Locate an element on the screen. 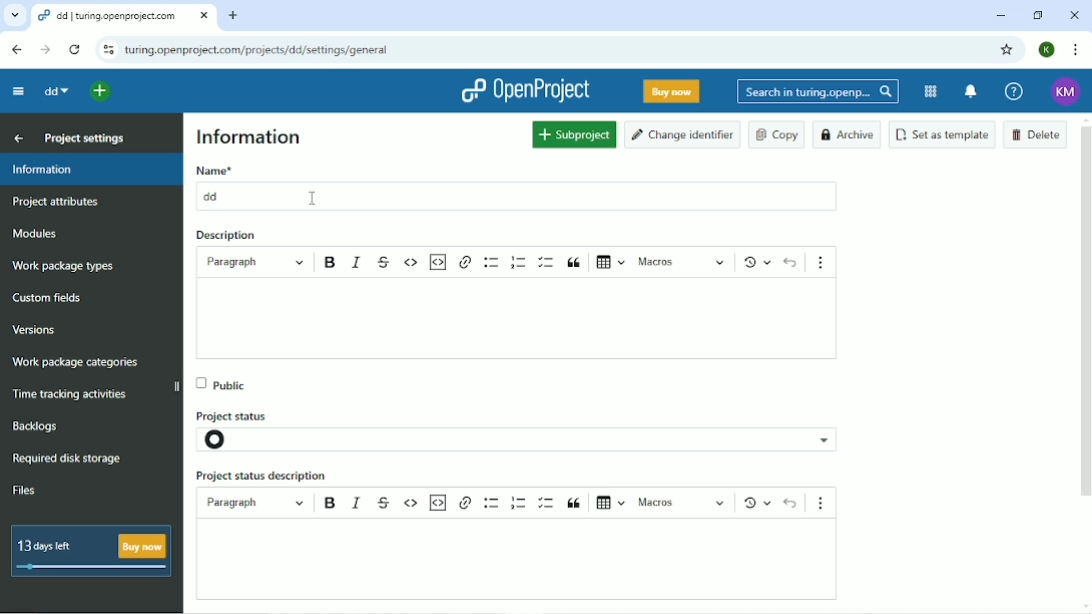 Image resolution: width=1092 pixels, height=614 pixels. Show more items is located at coordinates (825, 258).